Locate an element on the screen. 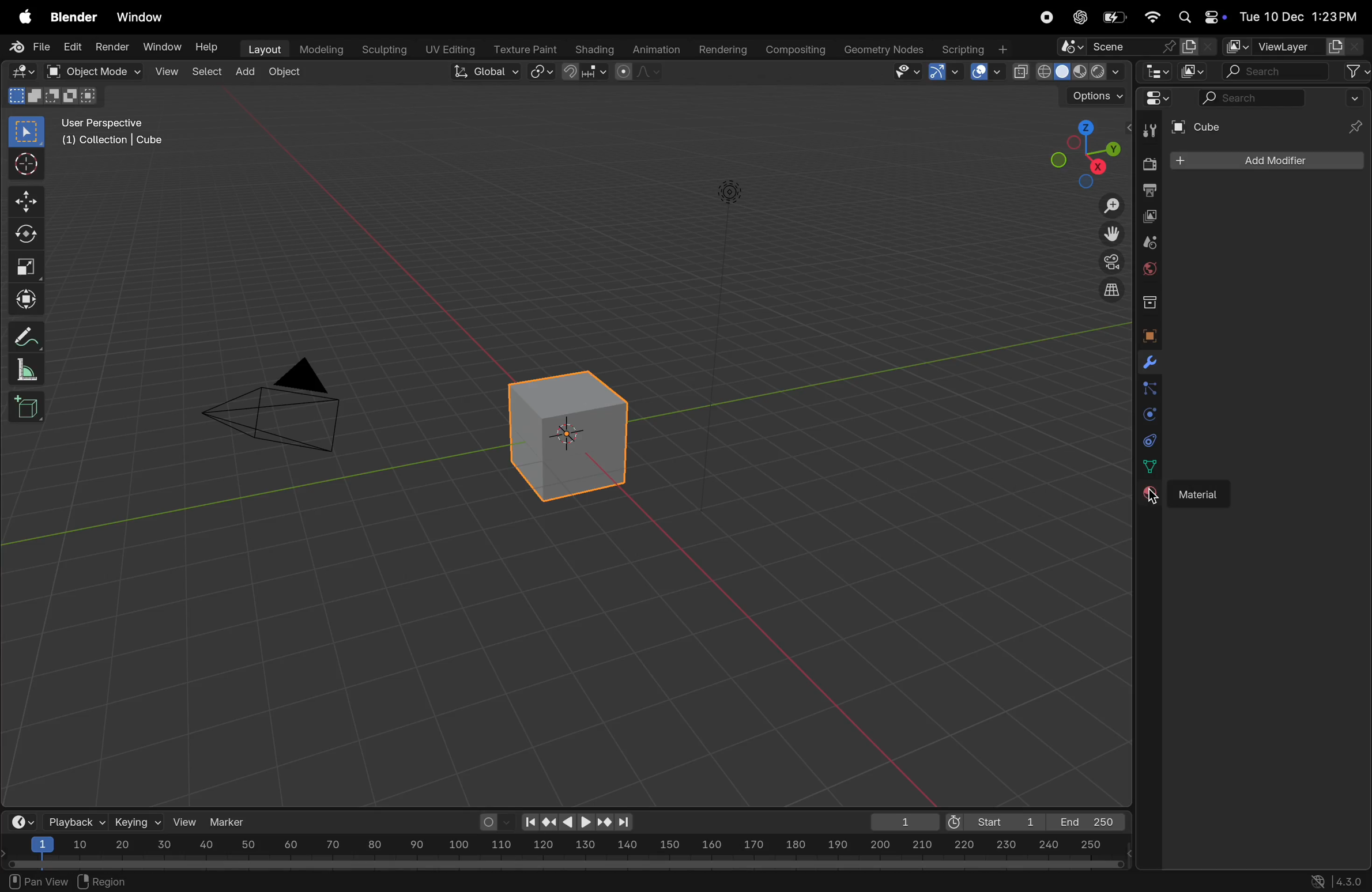 The height and width of the screenshot is (892, 1372). material is located at coordinates (1146, 495).